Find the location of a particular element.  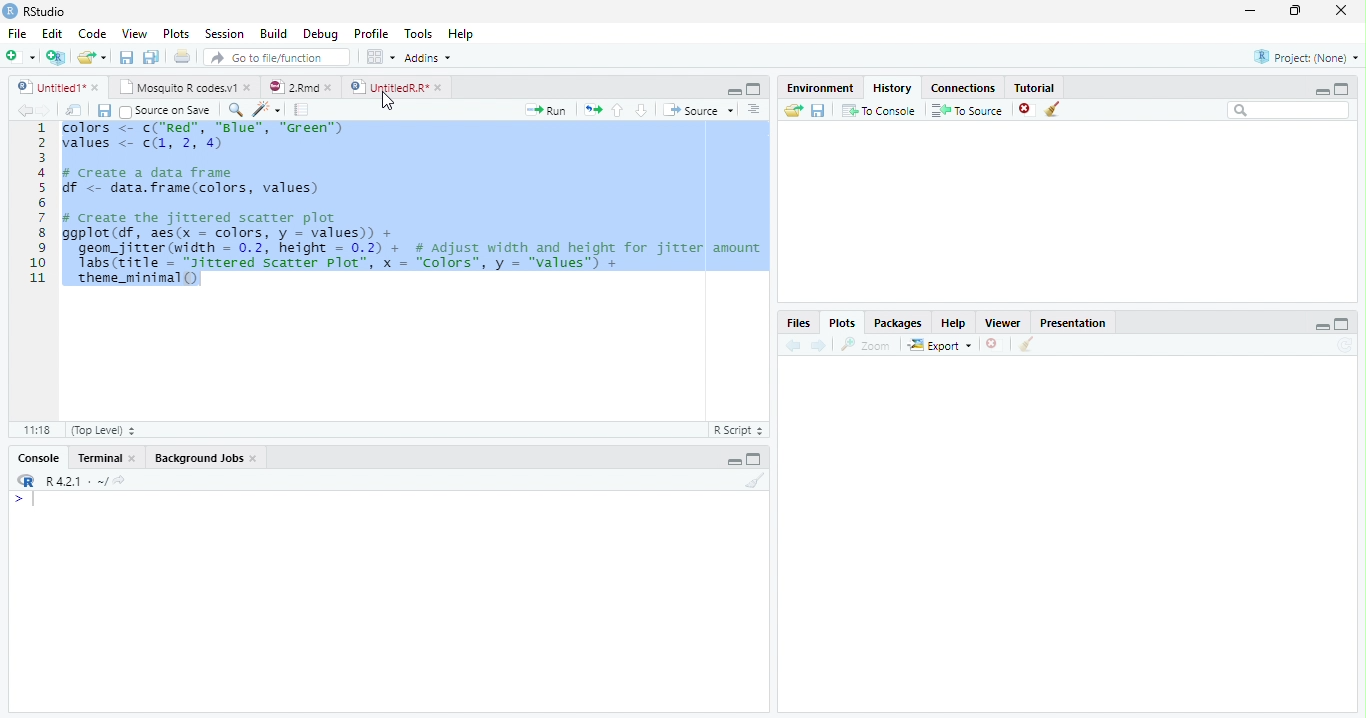

Maximize is located at coordinates (1342, 324).